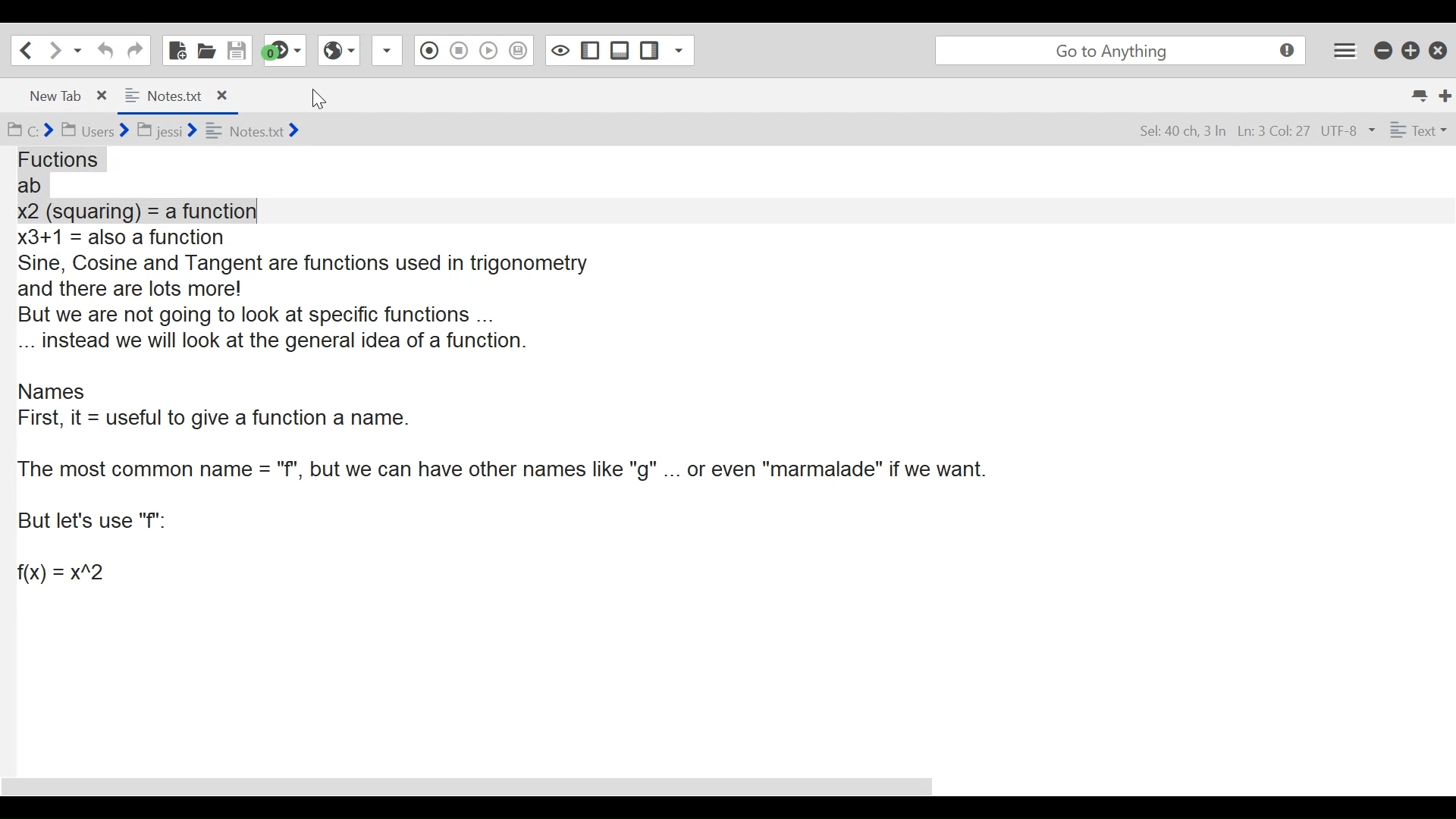  Describe the element at coordinates (1412, 49) in the screenshot. I see `restore` at that location.